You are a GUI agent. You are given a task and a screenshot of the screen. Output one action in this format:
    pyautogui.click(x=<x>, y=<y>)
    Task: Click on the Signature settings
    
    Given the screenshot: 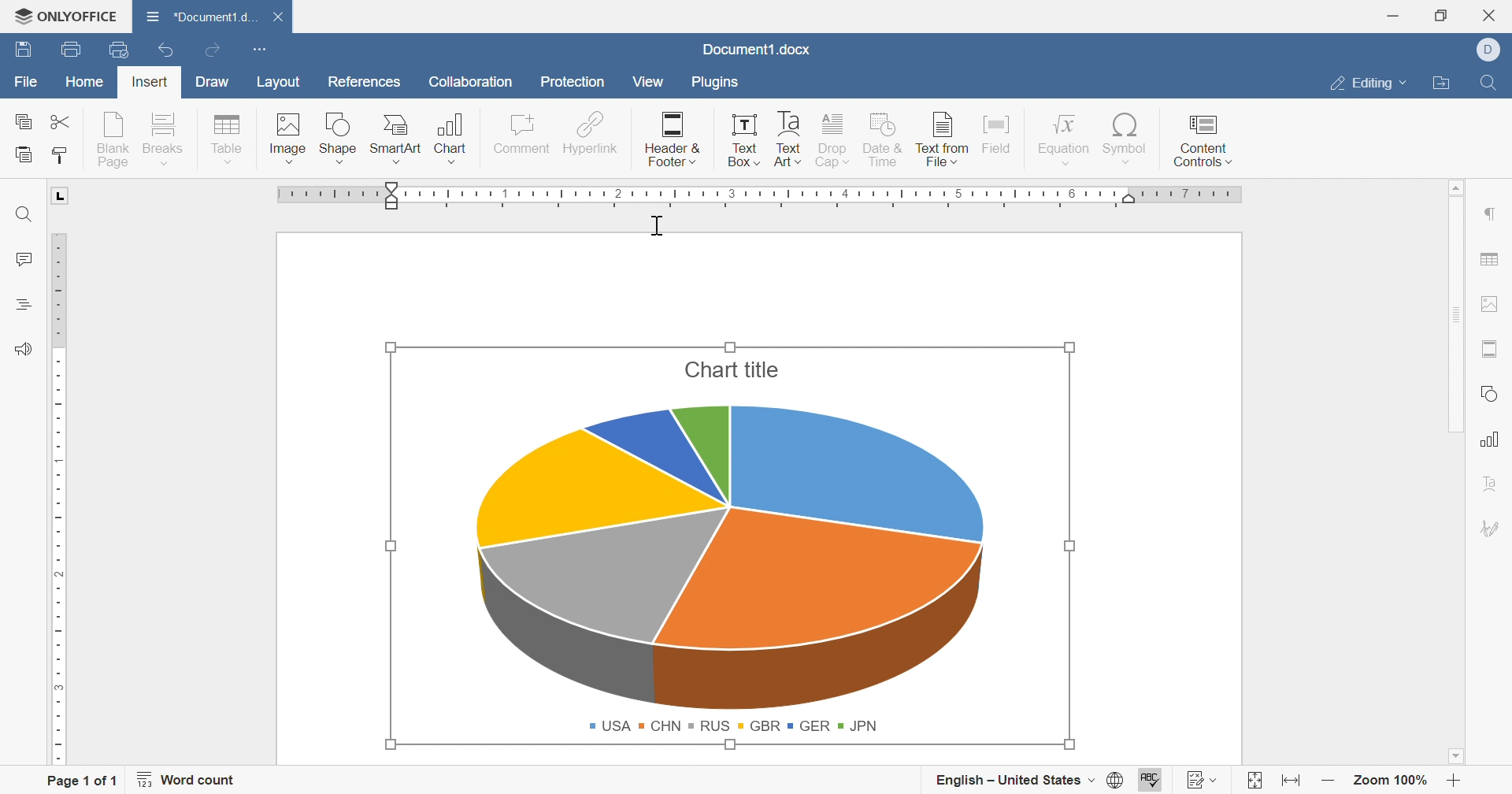 What is the action you would take?
    pyautogui.click(x=1495, y=527)
    